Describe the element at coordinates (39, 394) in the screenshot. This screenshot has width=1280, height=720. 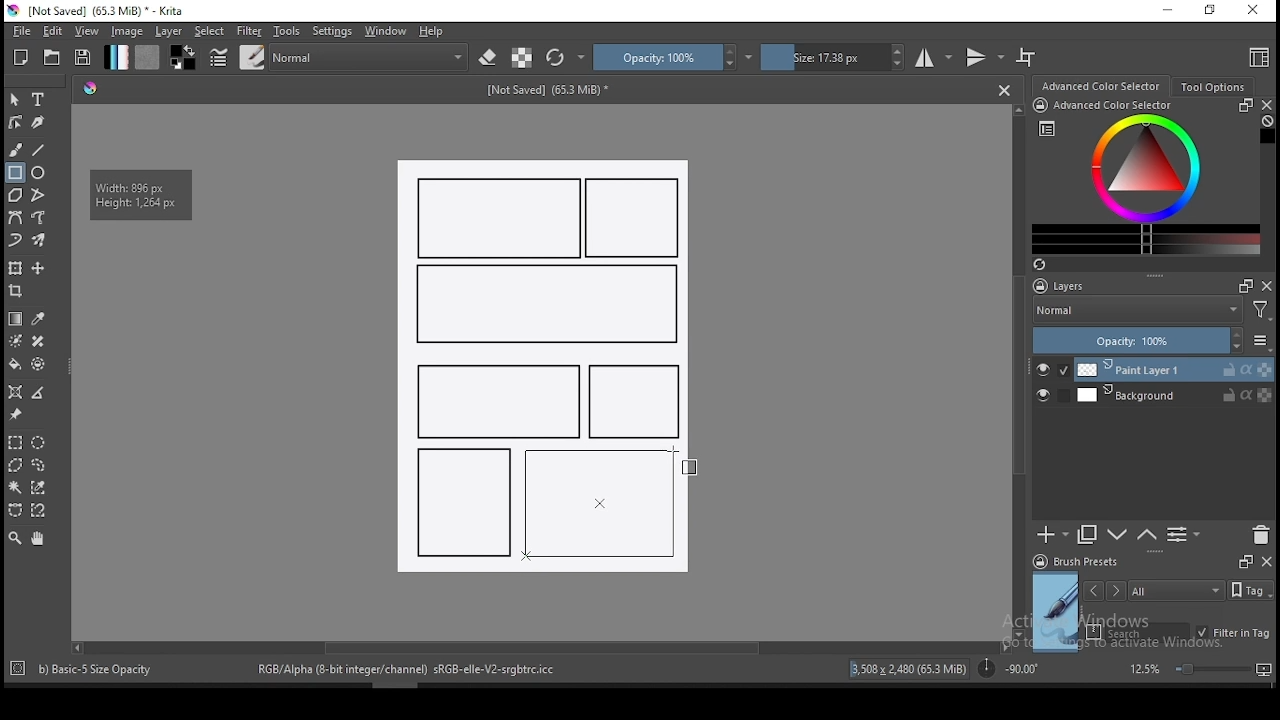
I see `measure distance between two points` at that location.